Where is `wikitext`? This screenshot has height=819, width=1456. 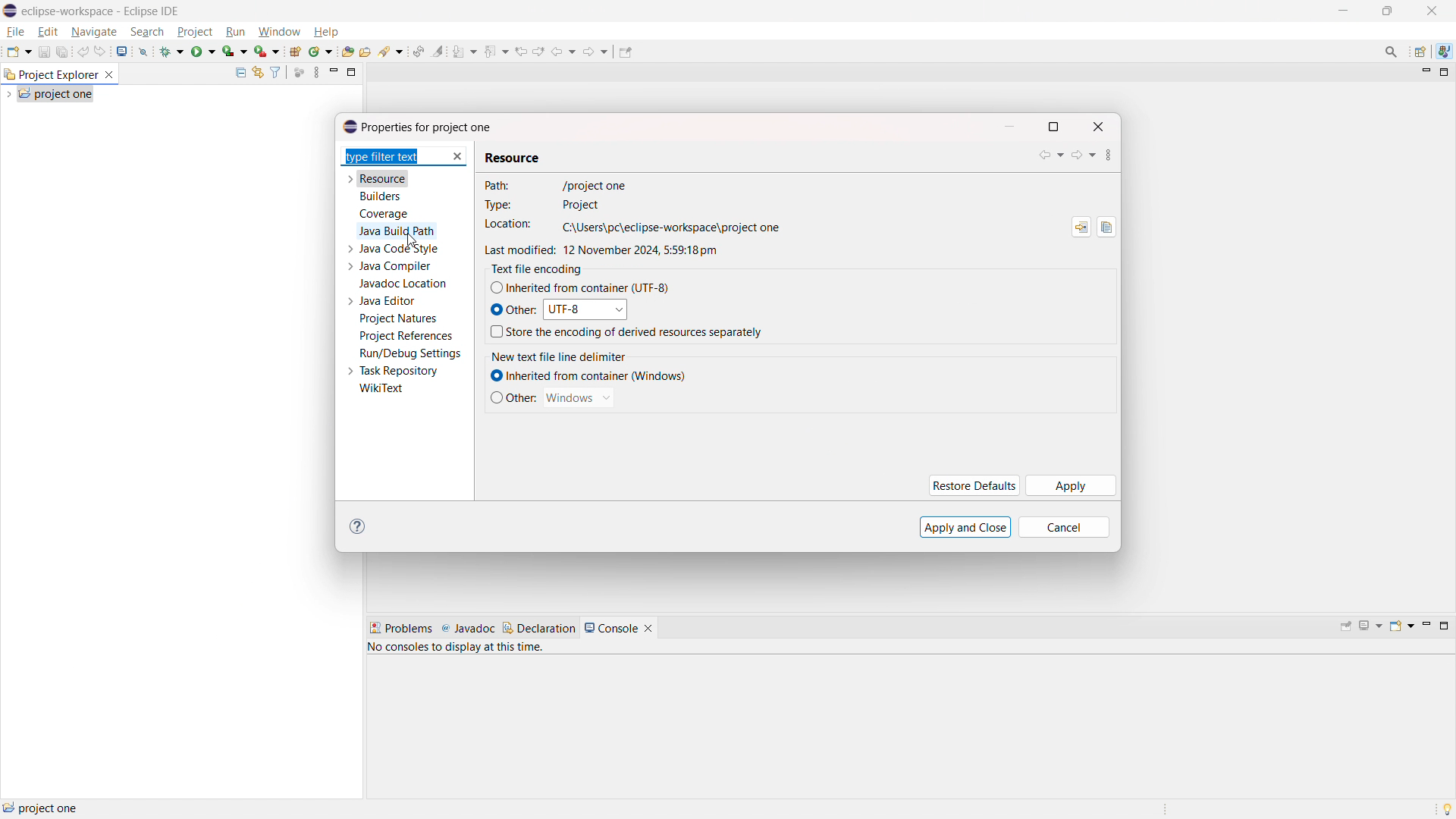 wikitext is located at coordinates (382, 389).